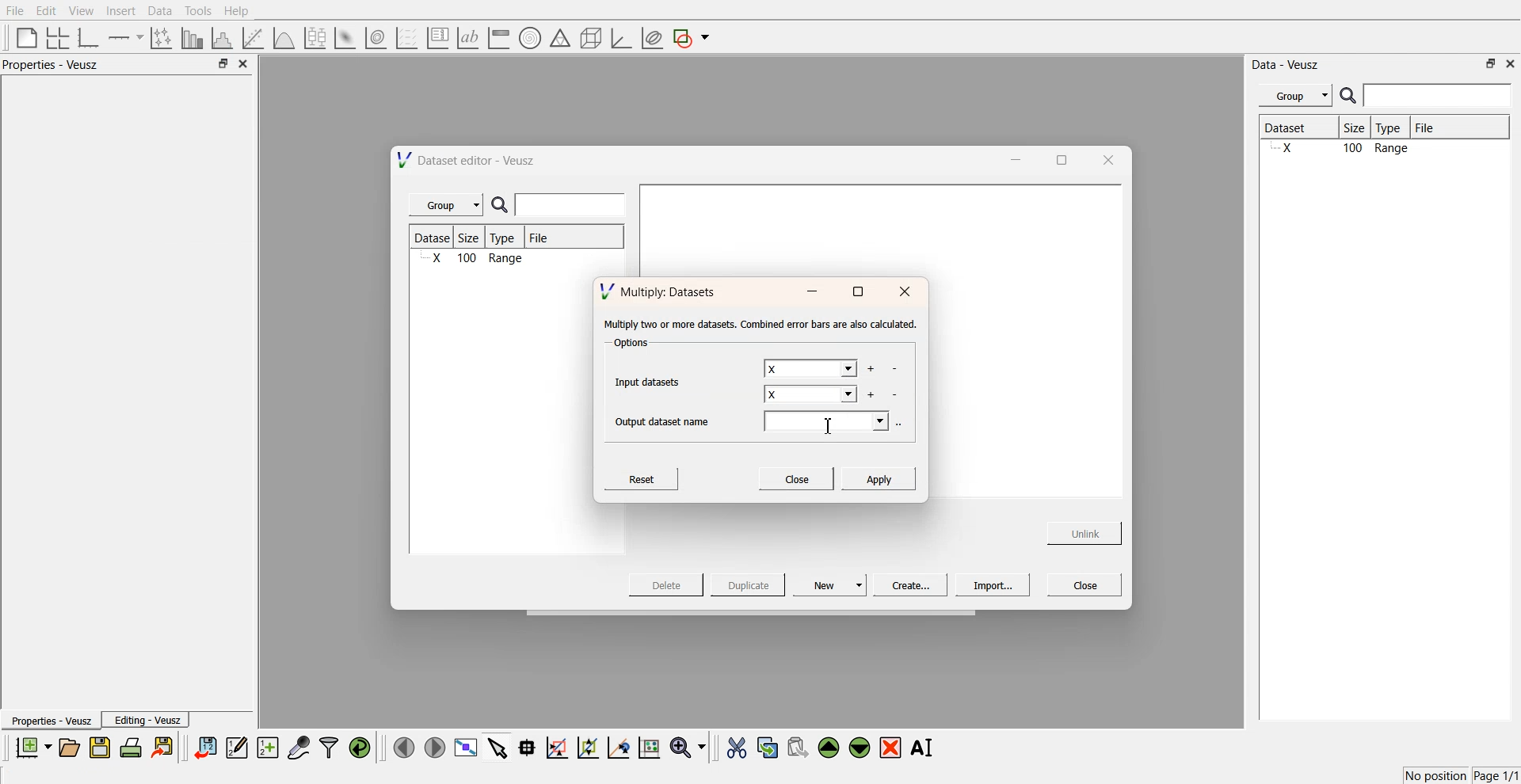  What do you see at coordinates (268, 748) in the screenshot?
I see `create new datasets` at bounding box center [268, 748].